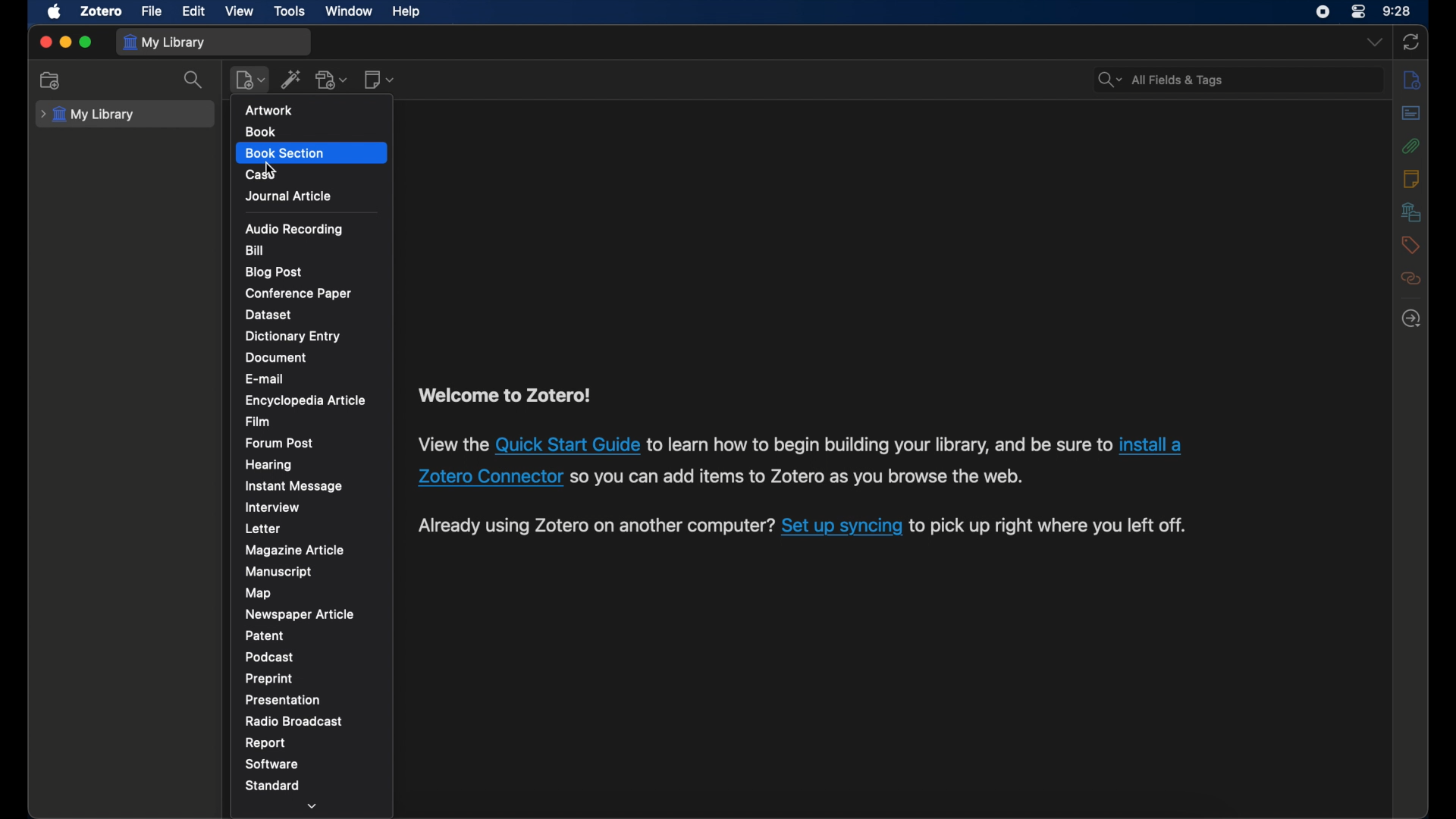 Image resolution: width=1456 pixels, height=819 pixels. I want to click on report, so click(265, 743).